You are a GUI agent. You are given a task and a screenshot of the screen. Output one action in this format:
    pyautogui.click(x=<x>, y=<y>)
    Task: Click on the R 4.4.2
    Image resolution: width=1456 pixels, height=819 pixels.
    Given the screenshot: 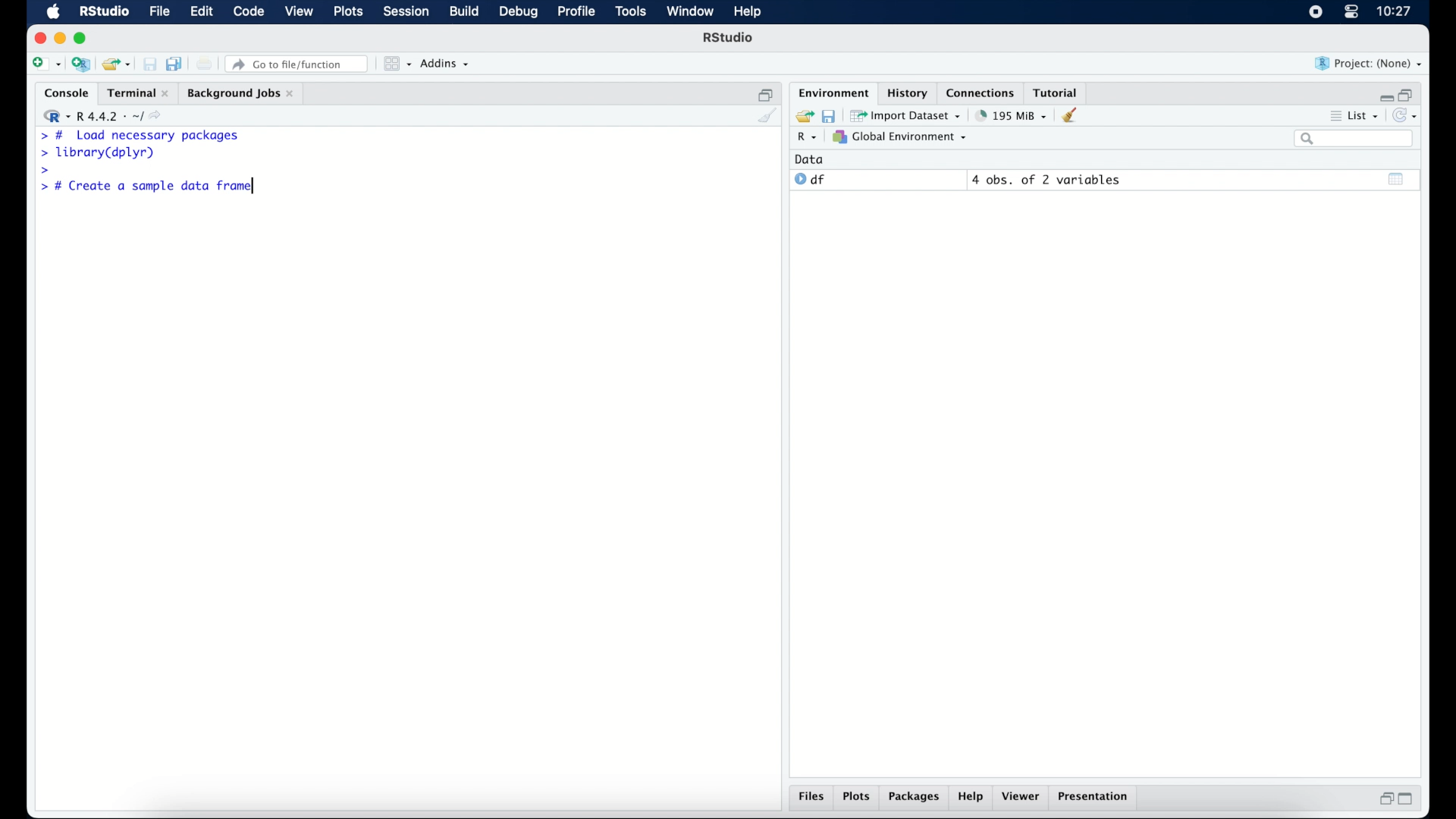 What is the action you would take?
    pyautogui.click(x=106, y=117)
    